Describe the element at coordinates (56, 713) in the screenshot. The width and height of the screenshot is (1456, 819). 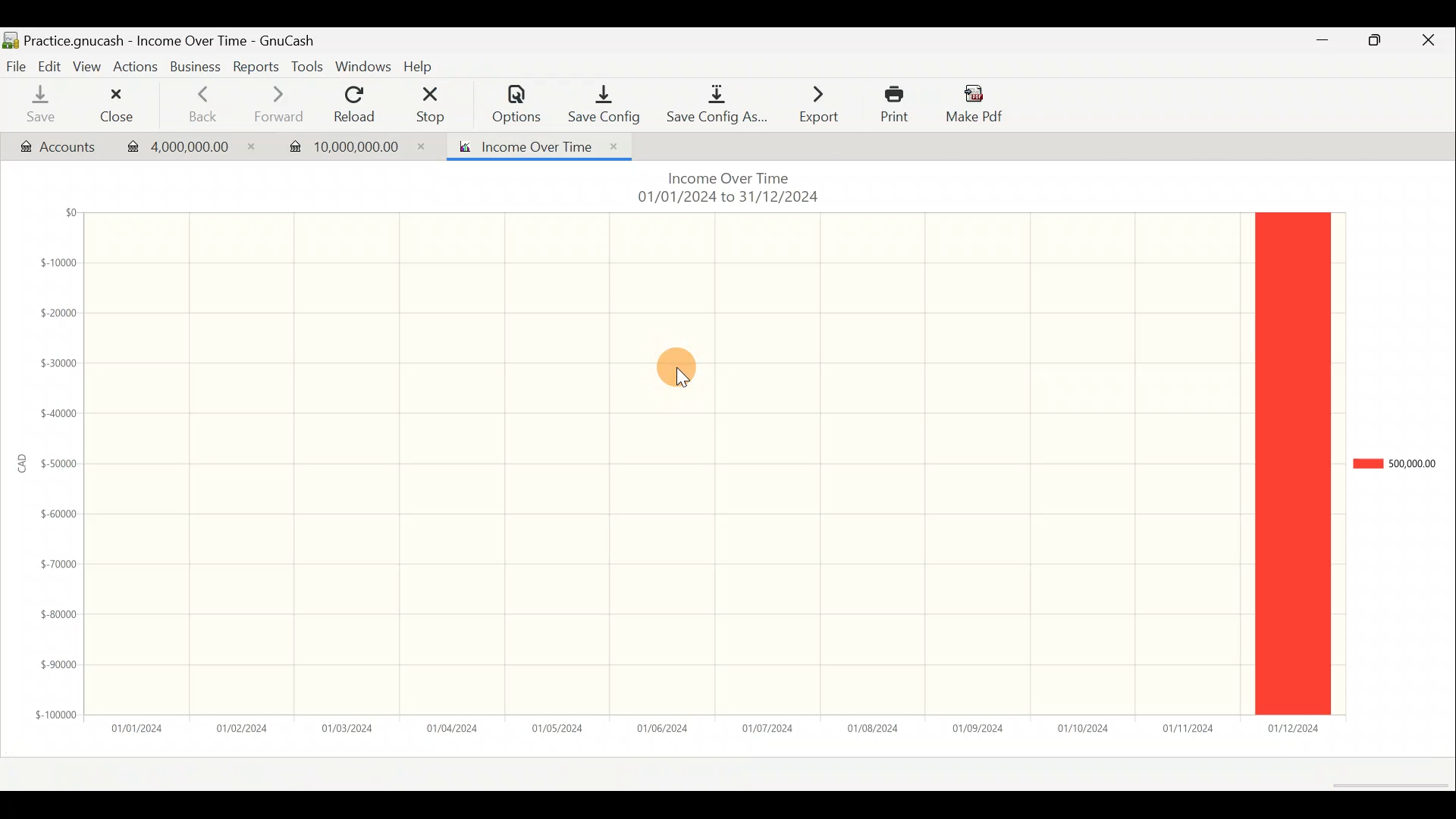
I see `$-100000` at that location.